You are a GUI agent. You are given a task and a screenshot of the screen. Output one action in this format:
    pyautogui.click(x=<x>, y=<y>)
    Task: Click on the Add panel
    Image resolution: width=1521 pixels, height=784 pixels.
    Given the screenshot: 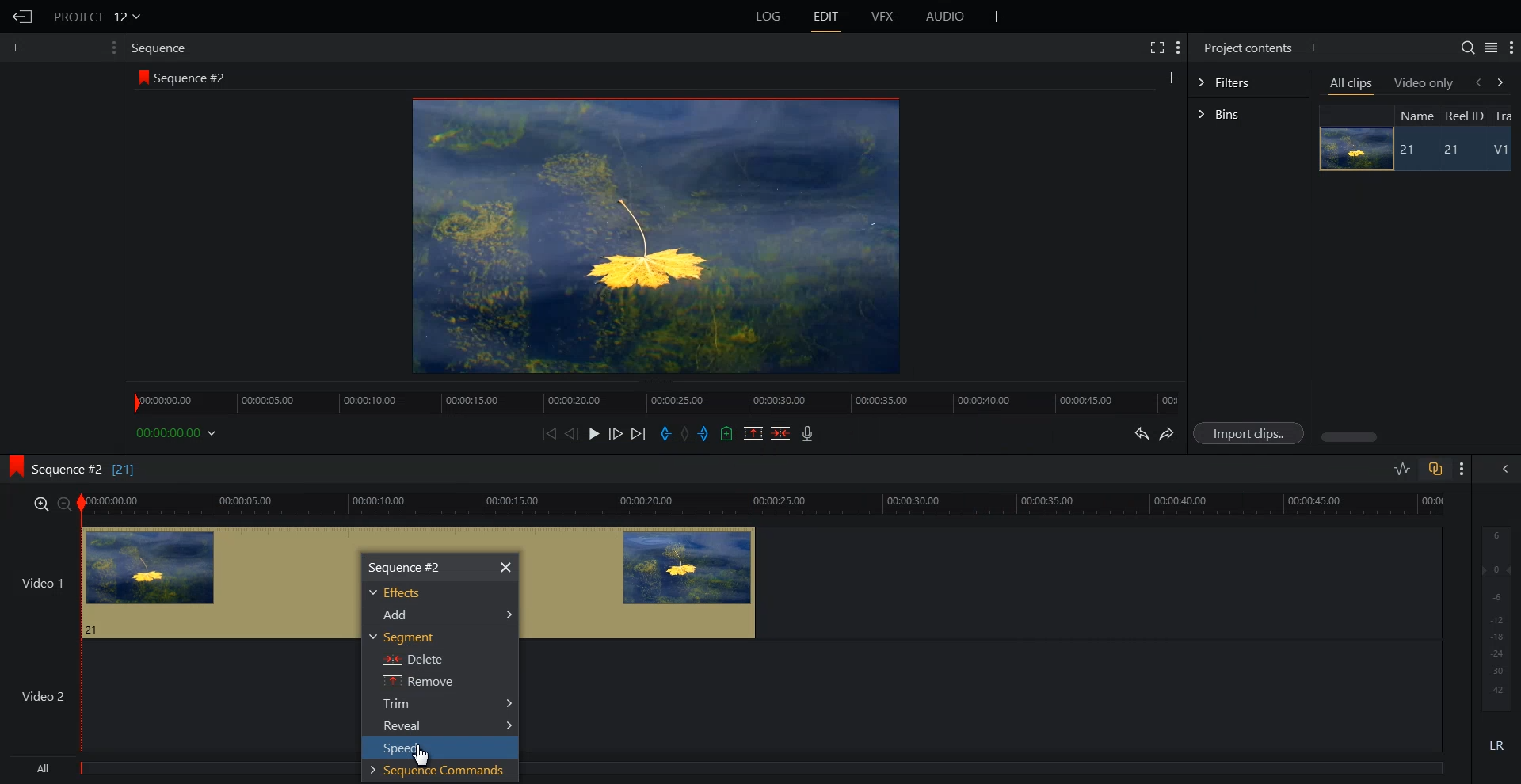 What is the action you would take?
    pyautogui.click(x=20, y=48)
    